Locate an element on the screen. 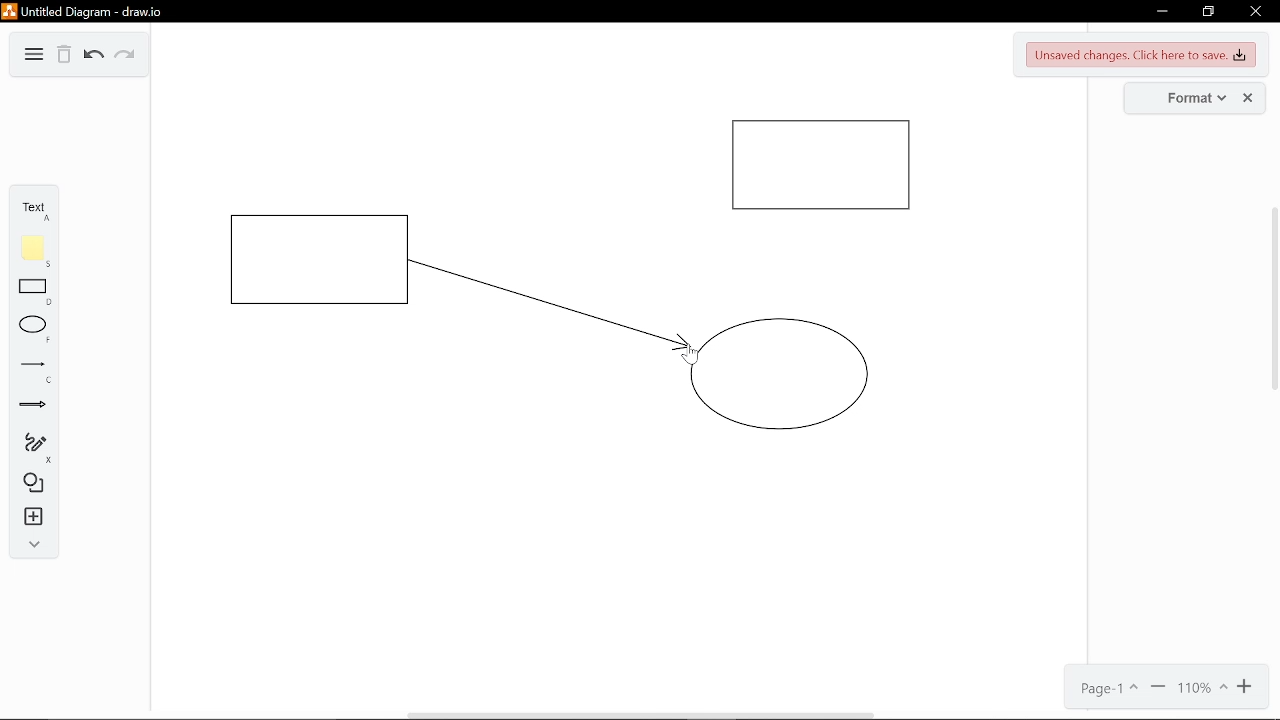 This screenshot has height=720, width=1280. Untitled Diagram - draw.io is located at coordinates (86, 12).